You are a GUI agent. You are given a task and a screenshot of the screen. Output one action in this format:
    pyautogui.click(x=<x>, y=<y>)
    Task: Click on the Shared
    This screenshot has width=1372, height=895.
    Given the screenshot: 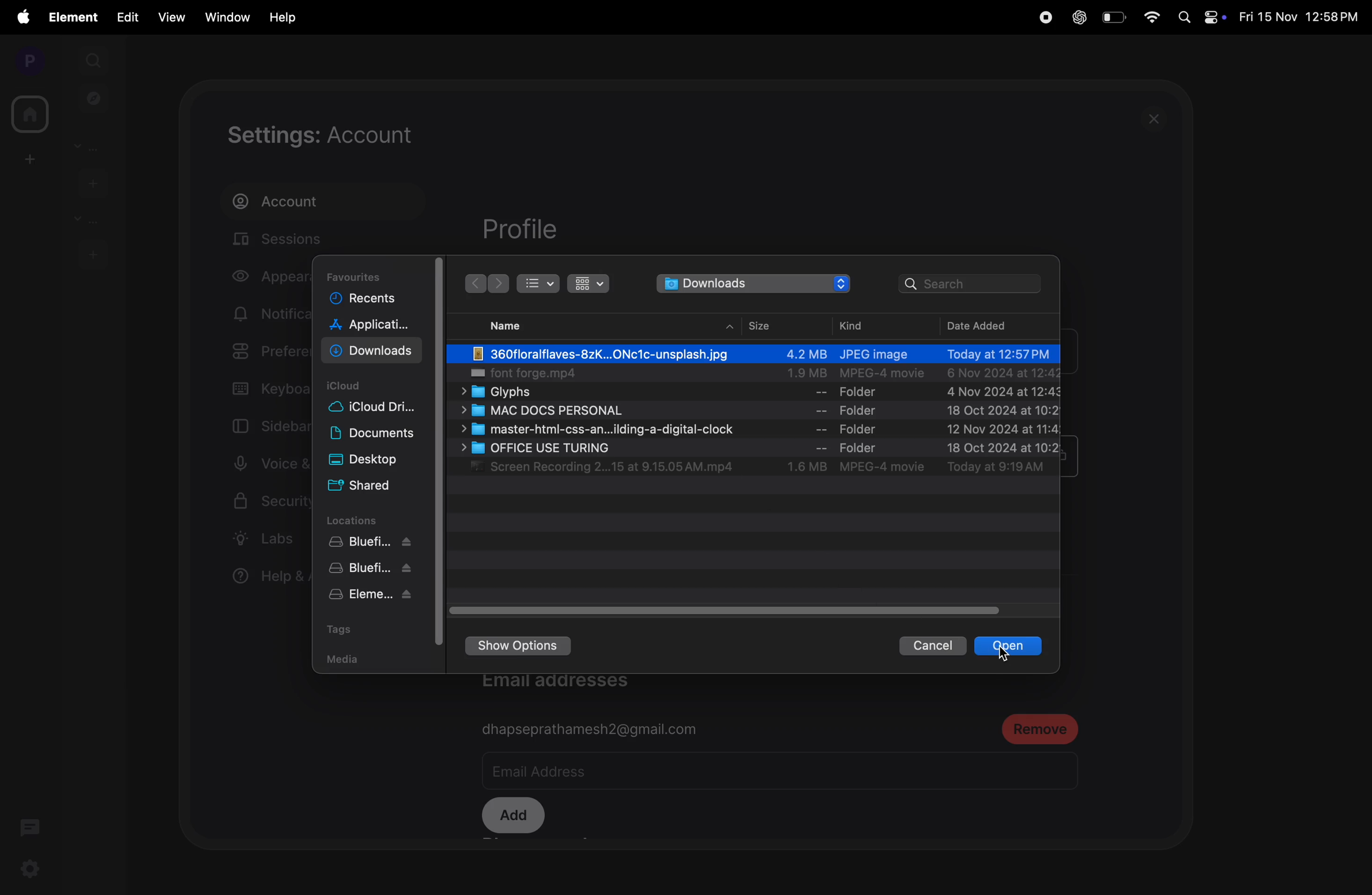 What is the action you would take?
    pyautogui.click(x=365, y=488)
    